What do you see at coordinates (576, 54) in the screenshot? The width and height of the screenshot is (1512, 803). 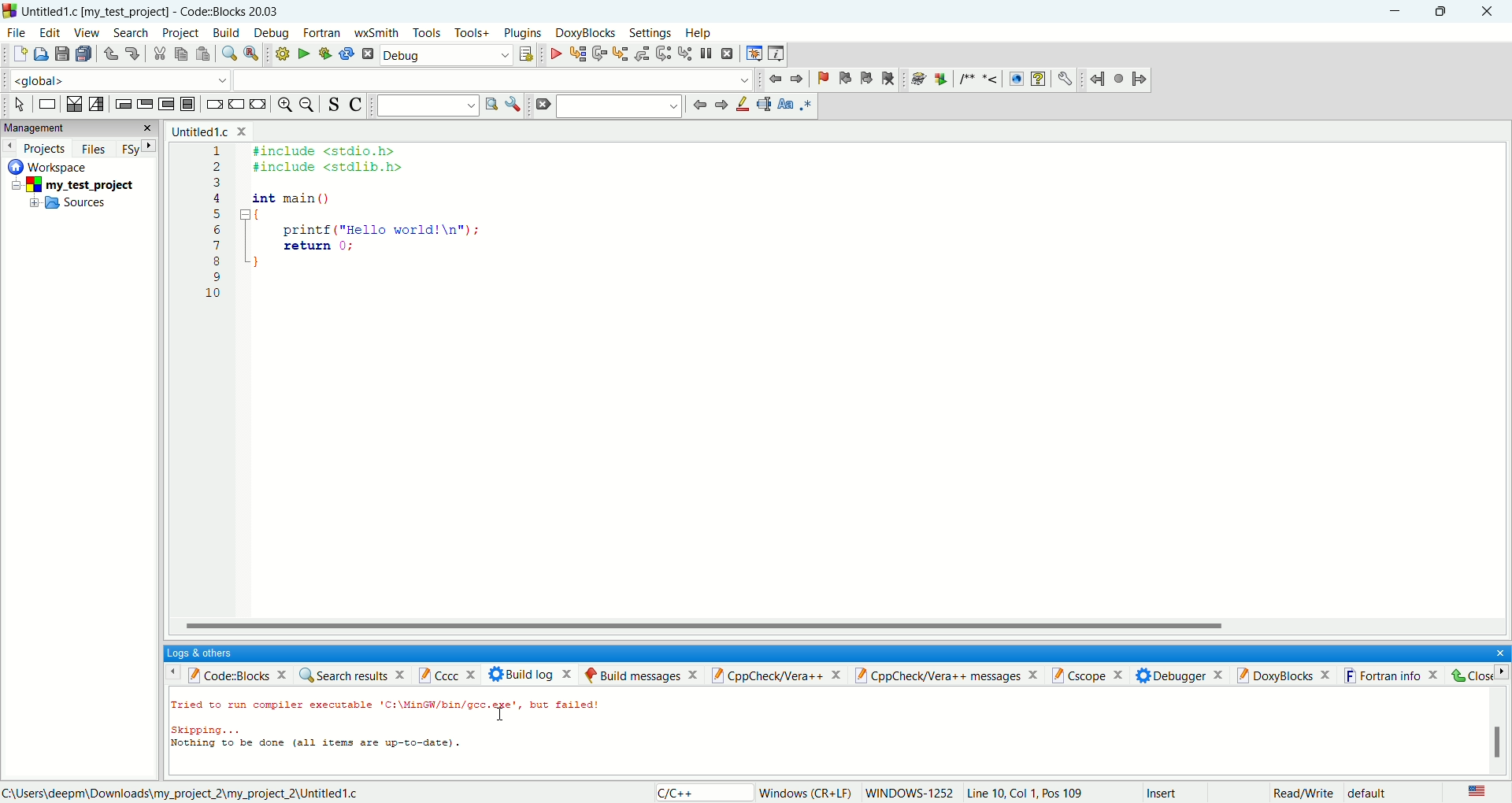 I see `run cursor` at bounding box center [576, 54].